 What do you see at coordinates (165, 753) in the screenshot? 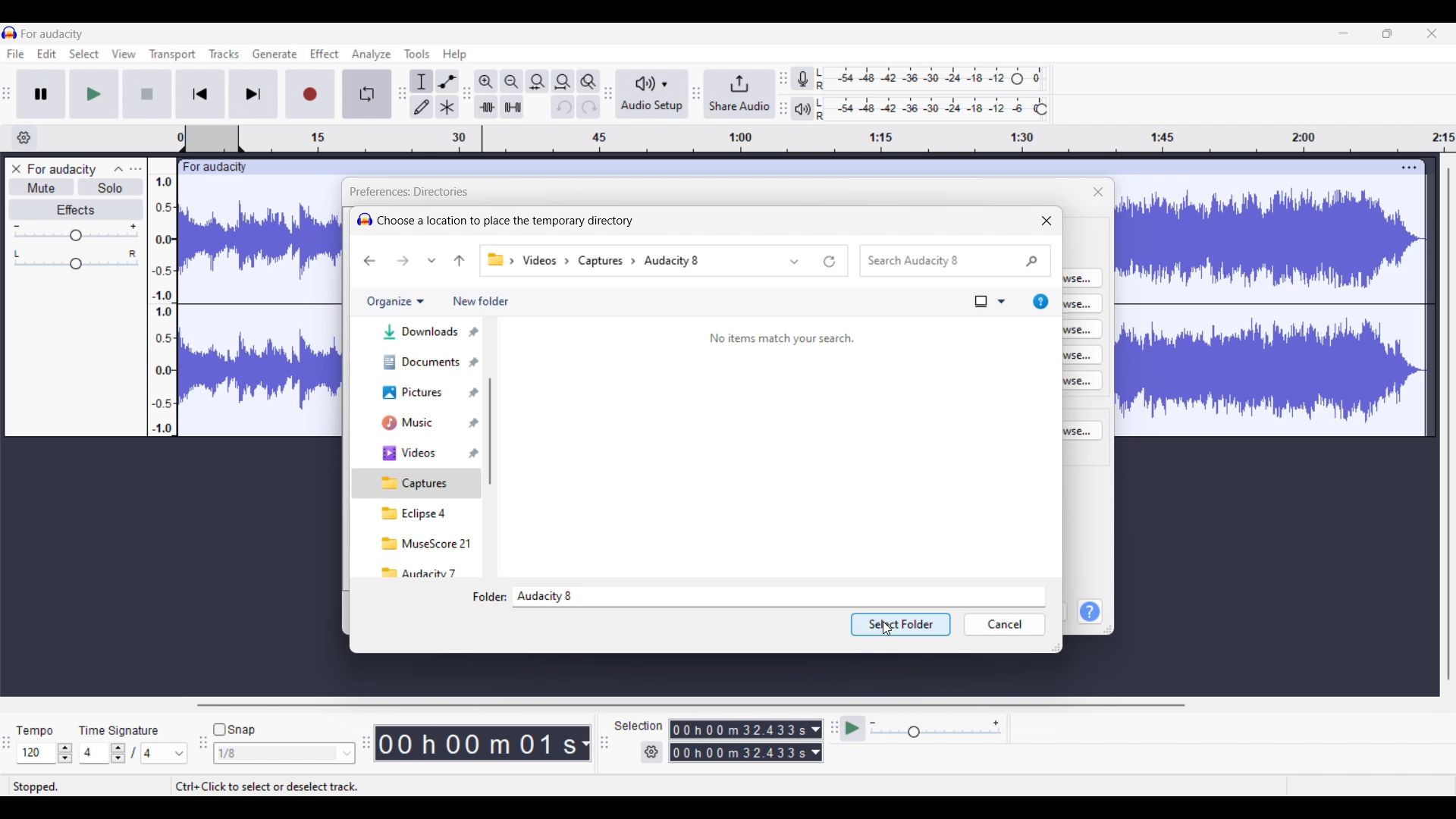
I see `Options for max. time signature` at bounding box center [165, 753].